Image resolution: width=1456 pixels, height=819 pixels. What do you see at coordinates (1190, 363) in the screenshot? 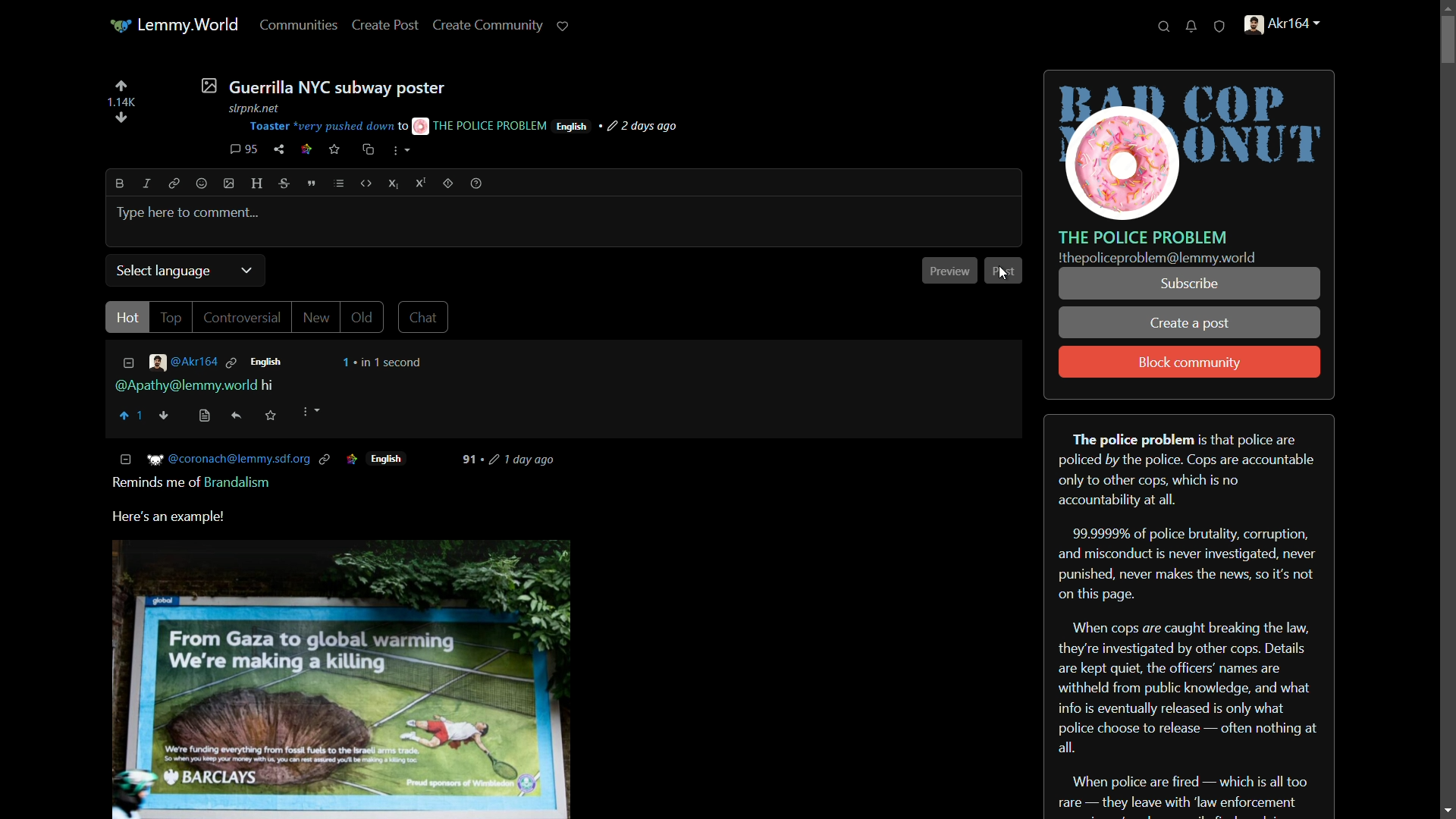
I see `block community` at bounding box center [1190, 363].